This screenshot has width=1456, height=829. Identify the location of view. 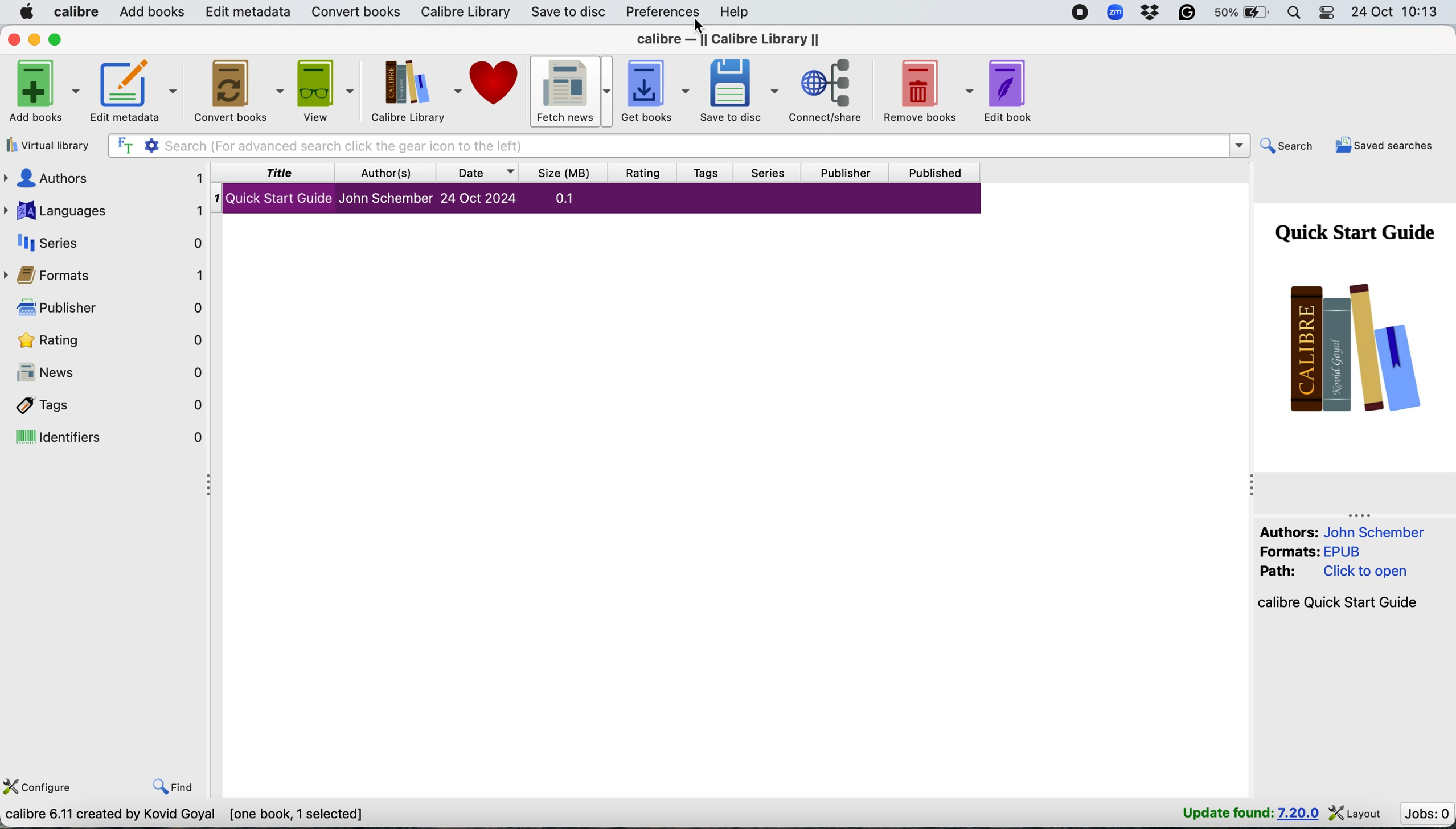
(322, 89).